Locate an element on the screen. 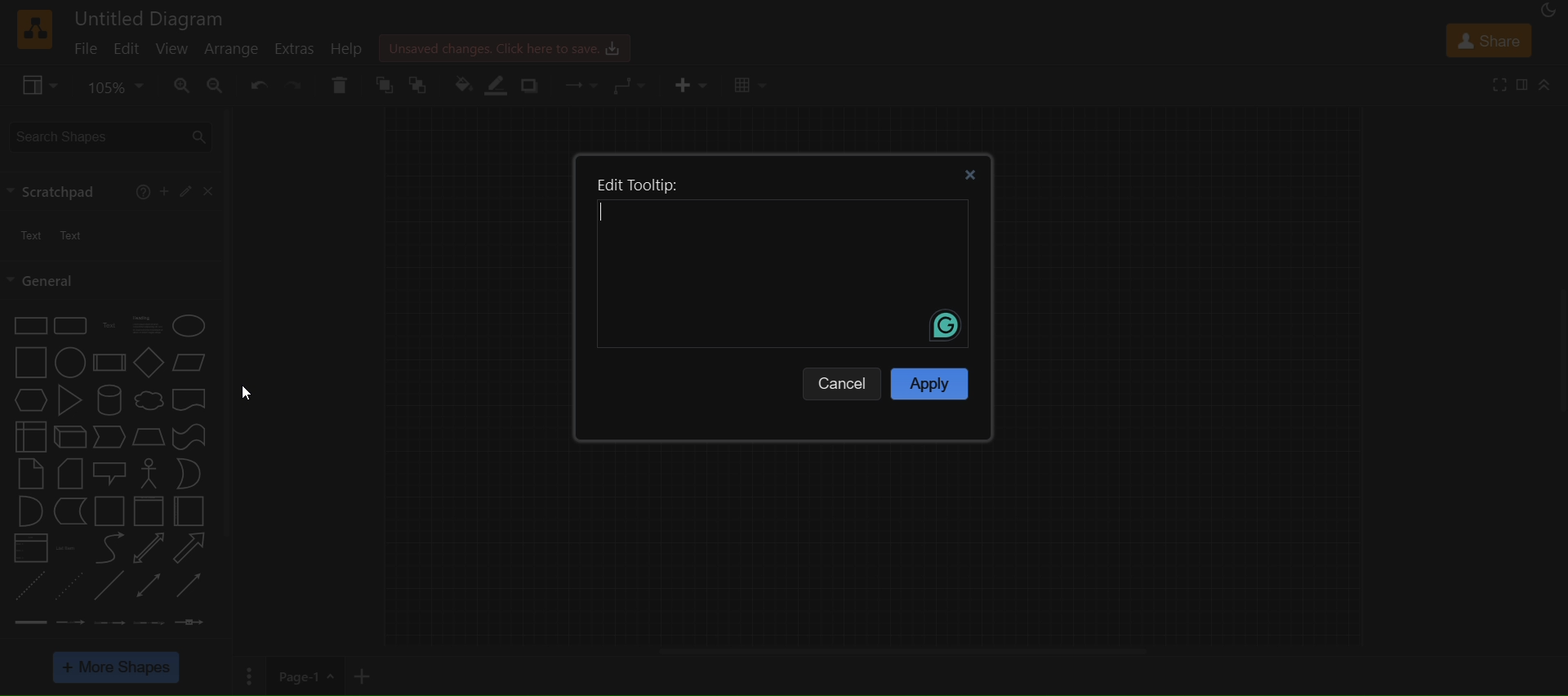 This screenshot has height=696, width=1568. tape is located at coordinates (188, 437).